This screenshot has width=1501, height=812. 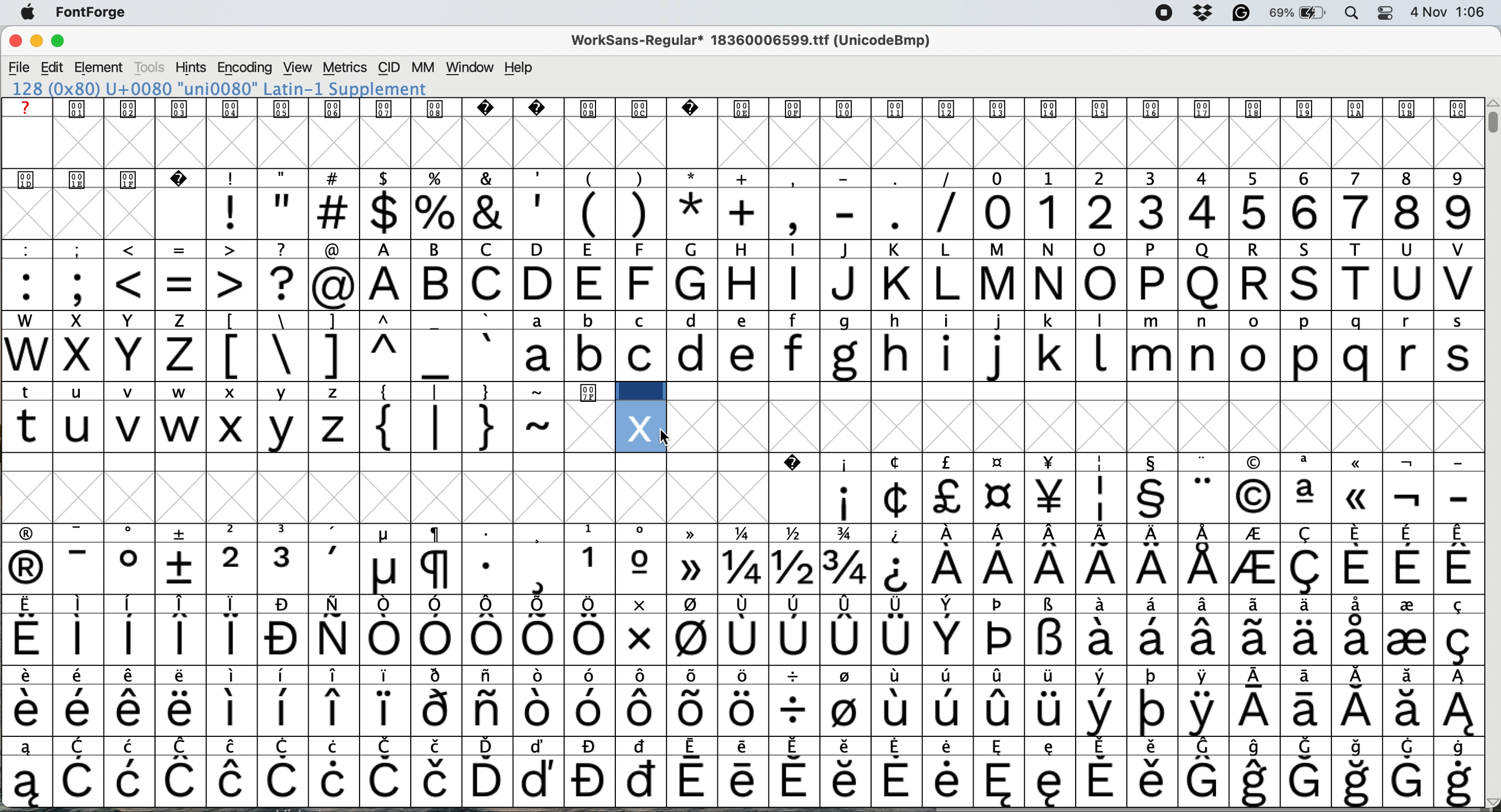 I want to click on close, so click(x=15, y=43).